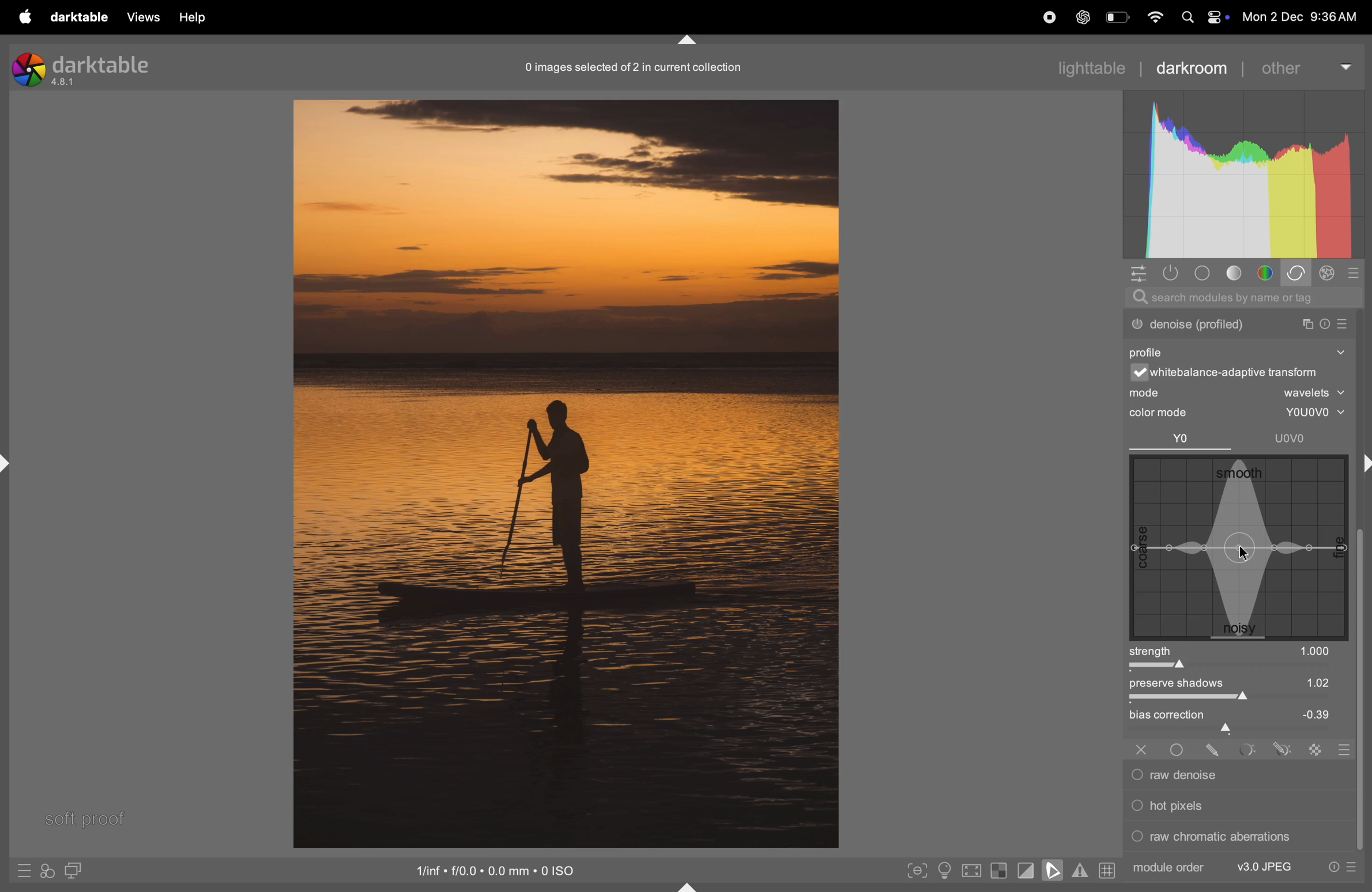 The image size is (1372, 892). Describe the element at coordinates (499, 870) in the screenshot. I see `iso` at that location.